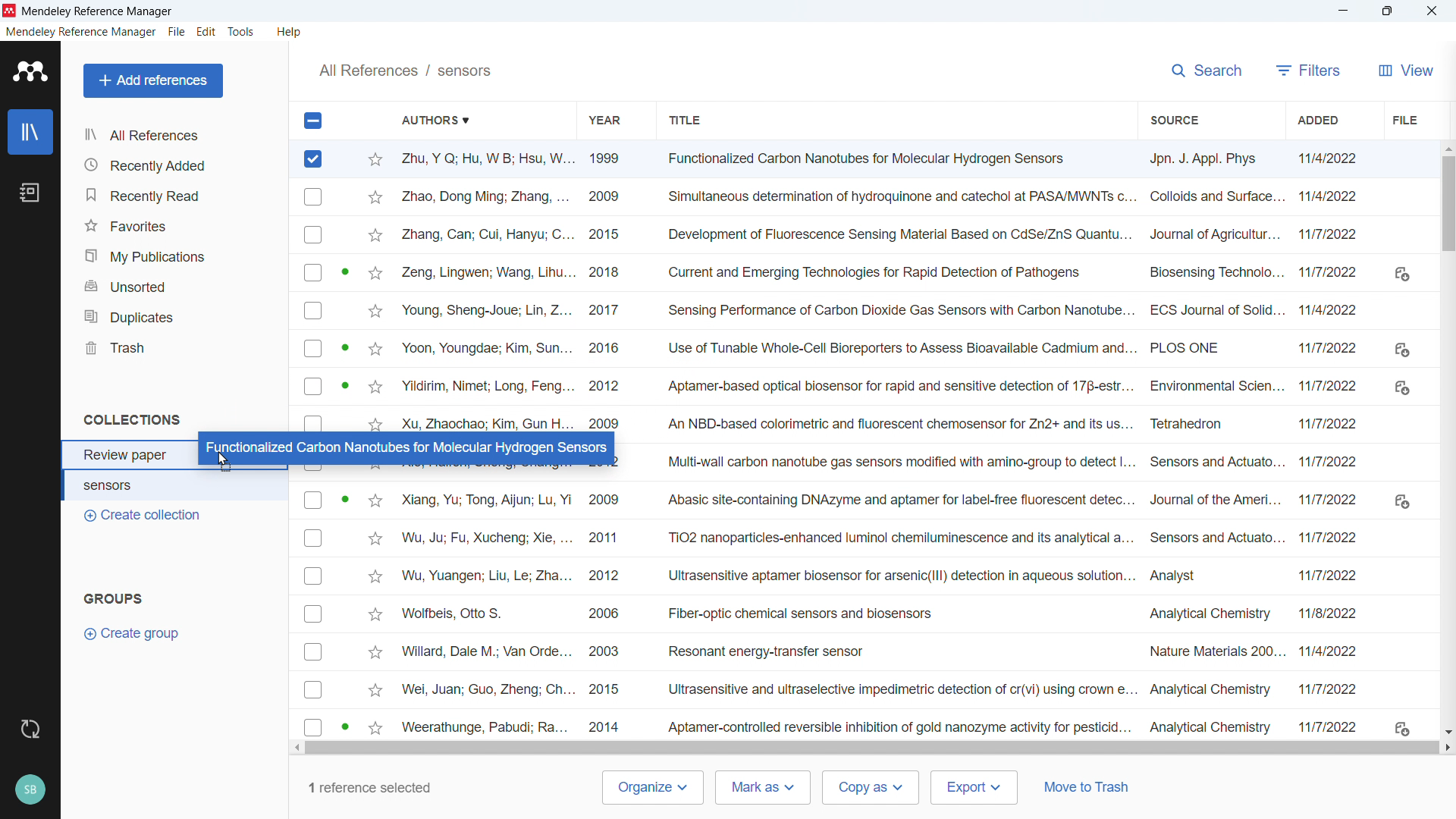 The height and width of the screenshot is (819, 1456). I want to click on Year of publication of individual entries , so click(607, 611).